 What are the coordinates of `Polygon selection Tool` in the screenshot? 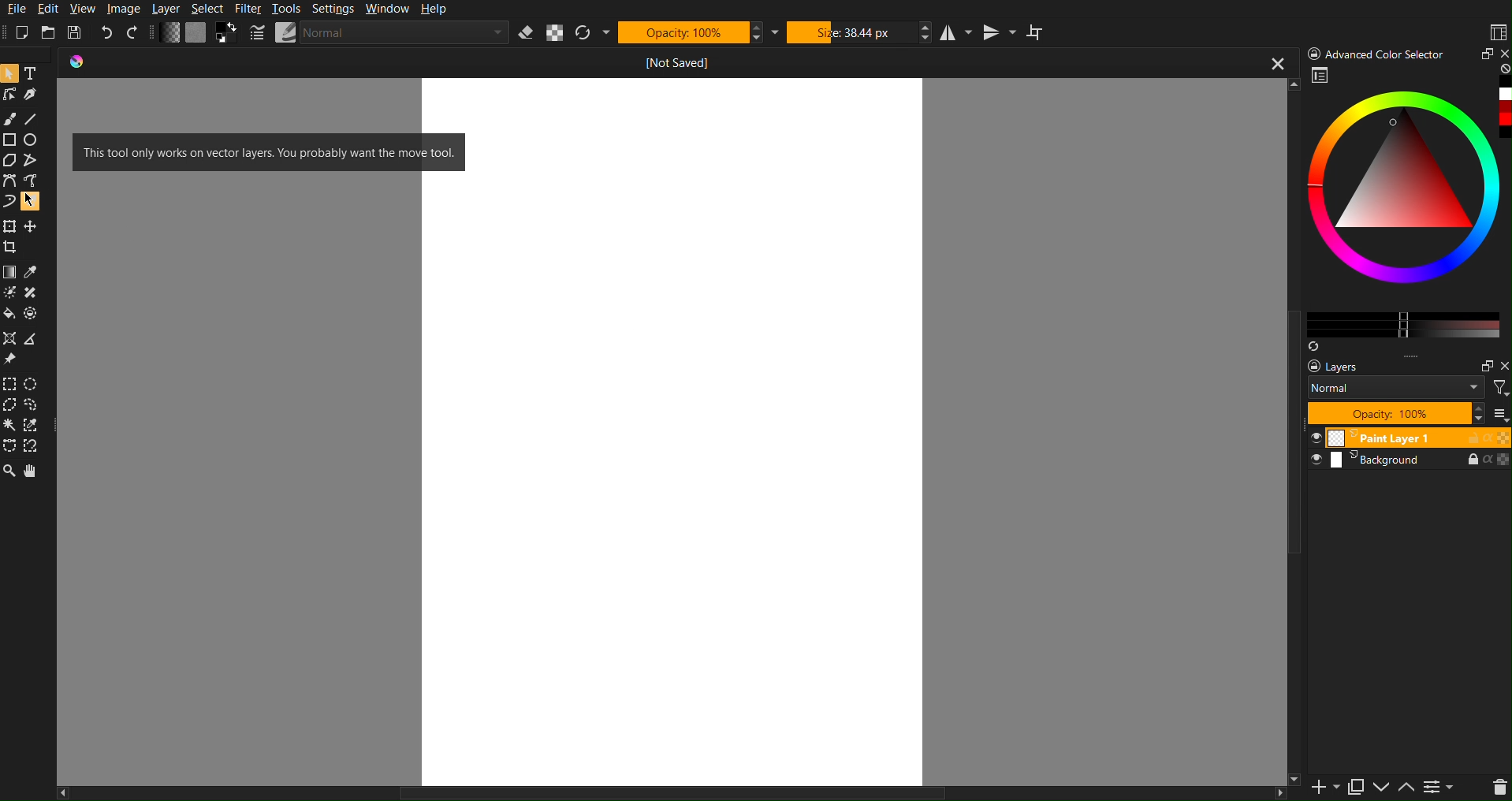 It's located at (11, 405).